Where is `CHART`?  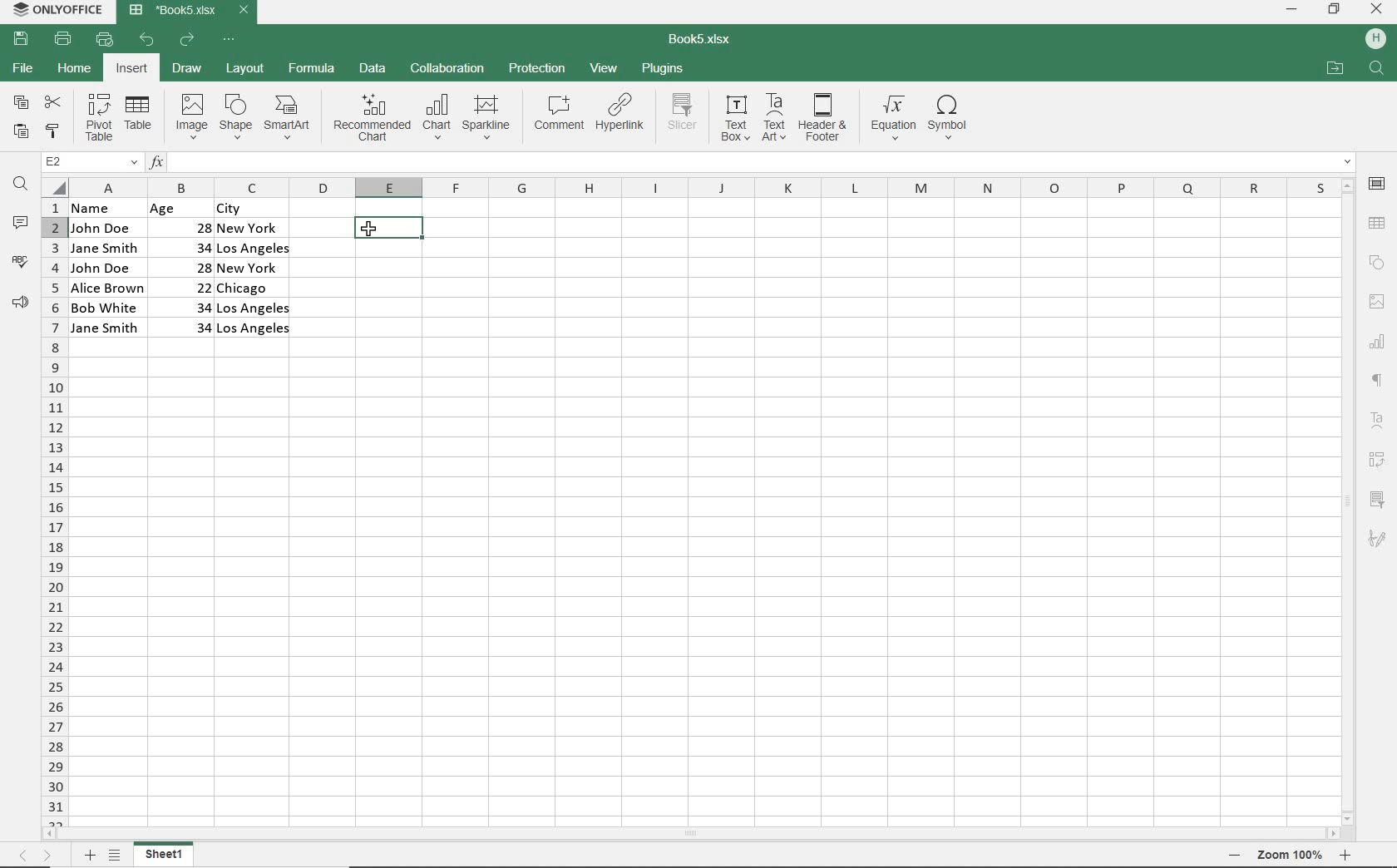
CHART is located at coordinates (1376, 346).